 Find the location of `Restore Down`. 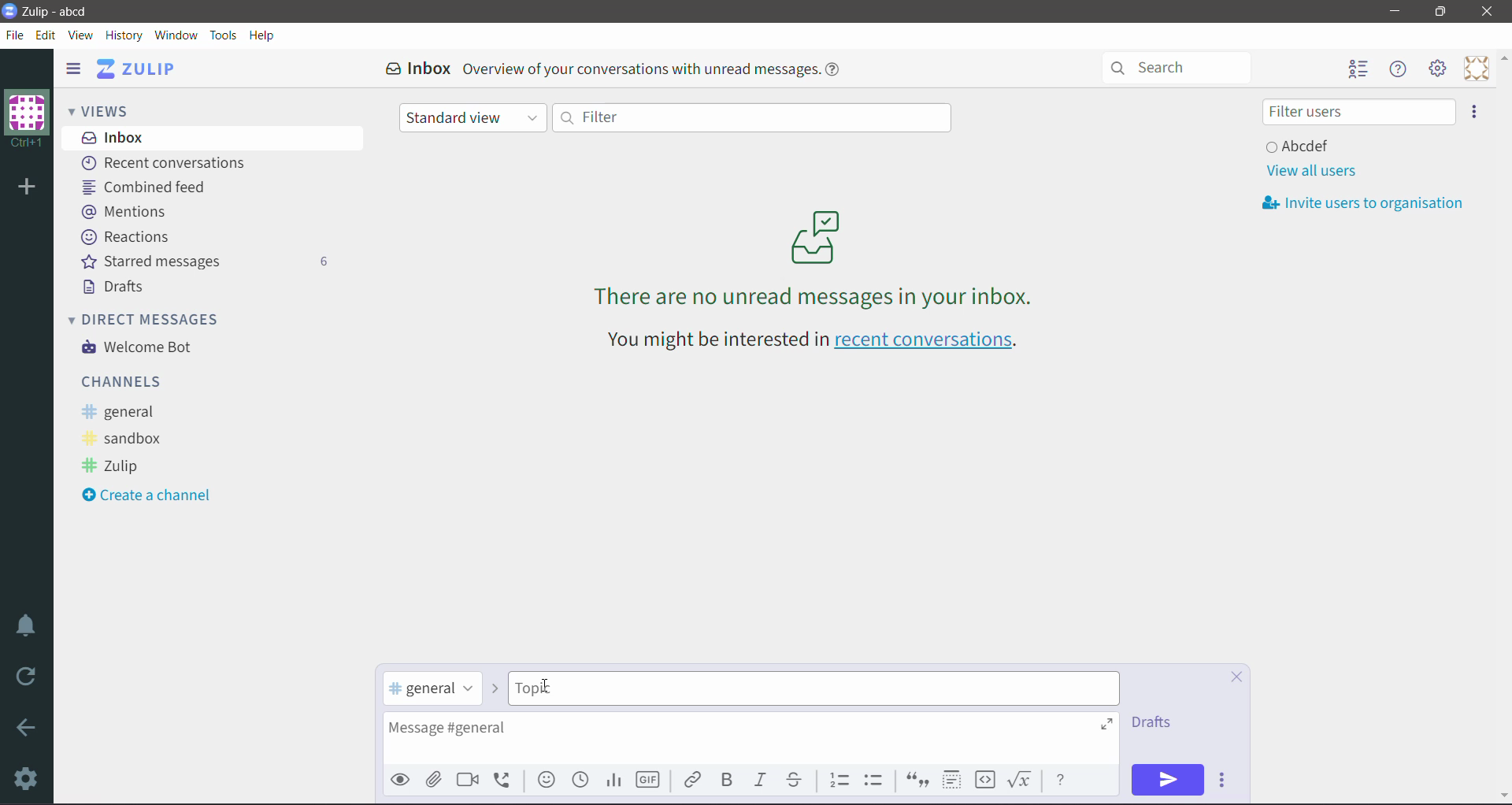

Restore Down is located at coordinates (1440, 12).